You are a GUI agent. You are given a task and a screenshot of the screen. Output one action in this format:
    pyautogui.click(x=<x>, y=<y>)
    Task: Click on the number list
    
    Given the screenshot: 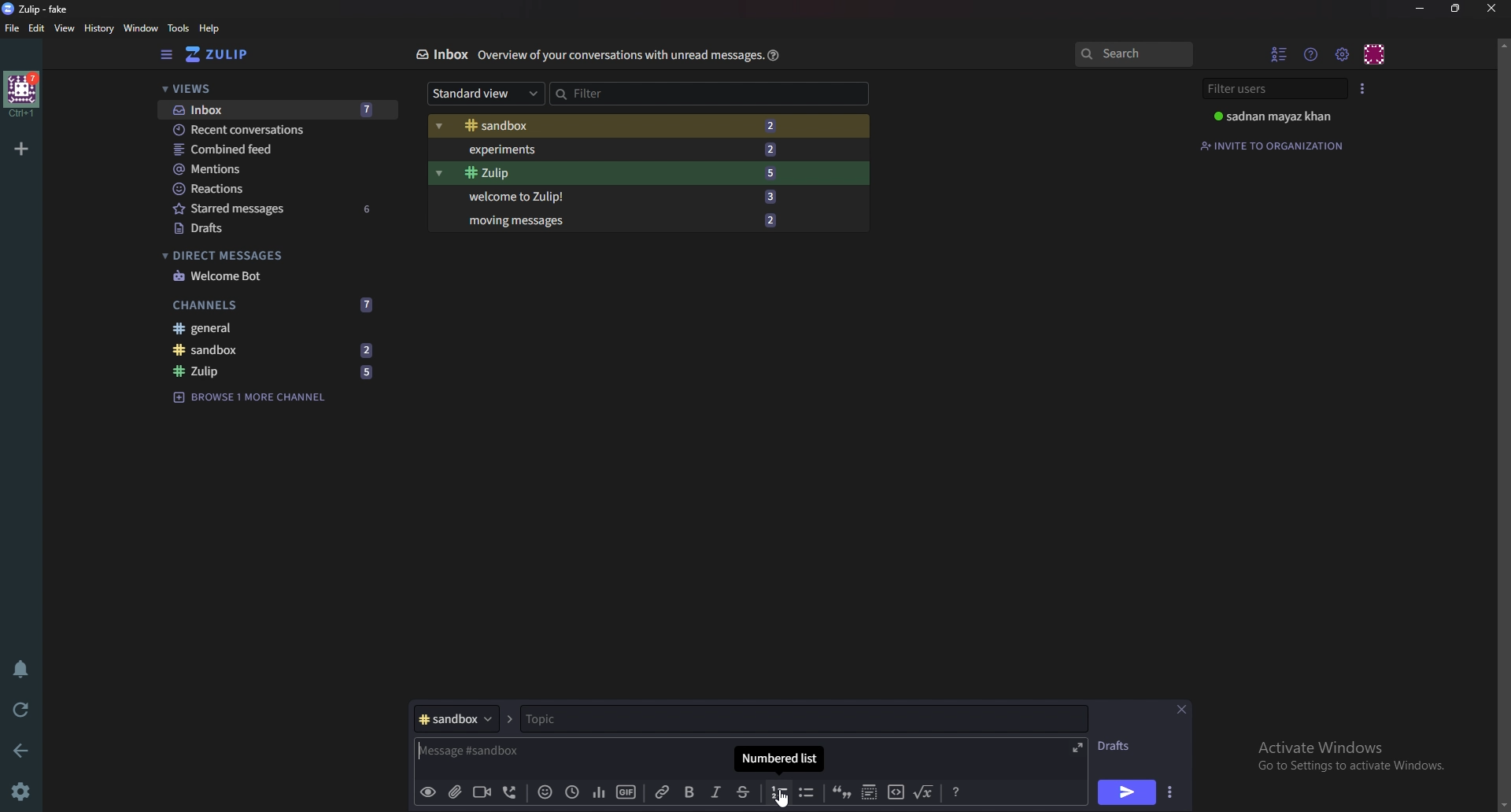 What is the action you would take?
    pyautogui.click(x=779, y=792)
    